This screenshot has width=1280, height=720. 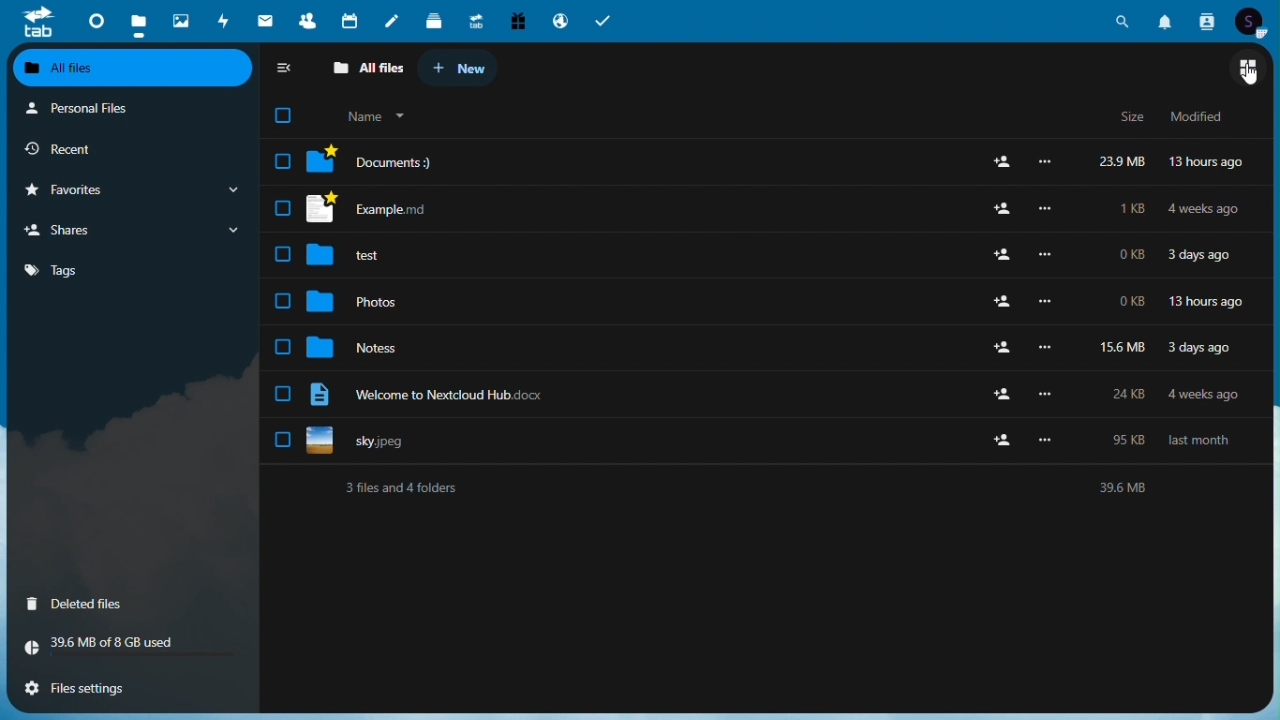 I want to click on cursor, so click(x=1250, y=76).